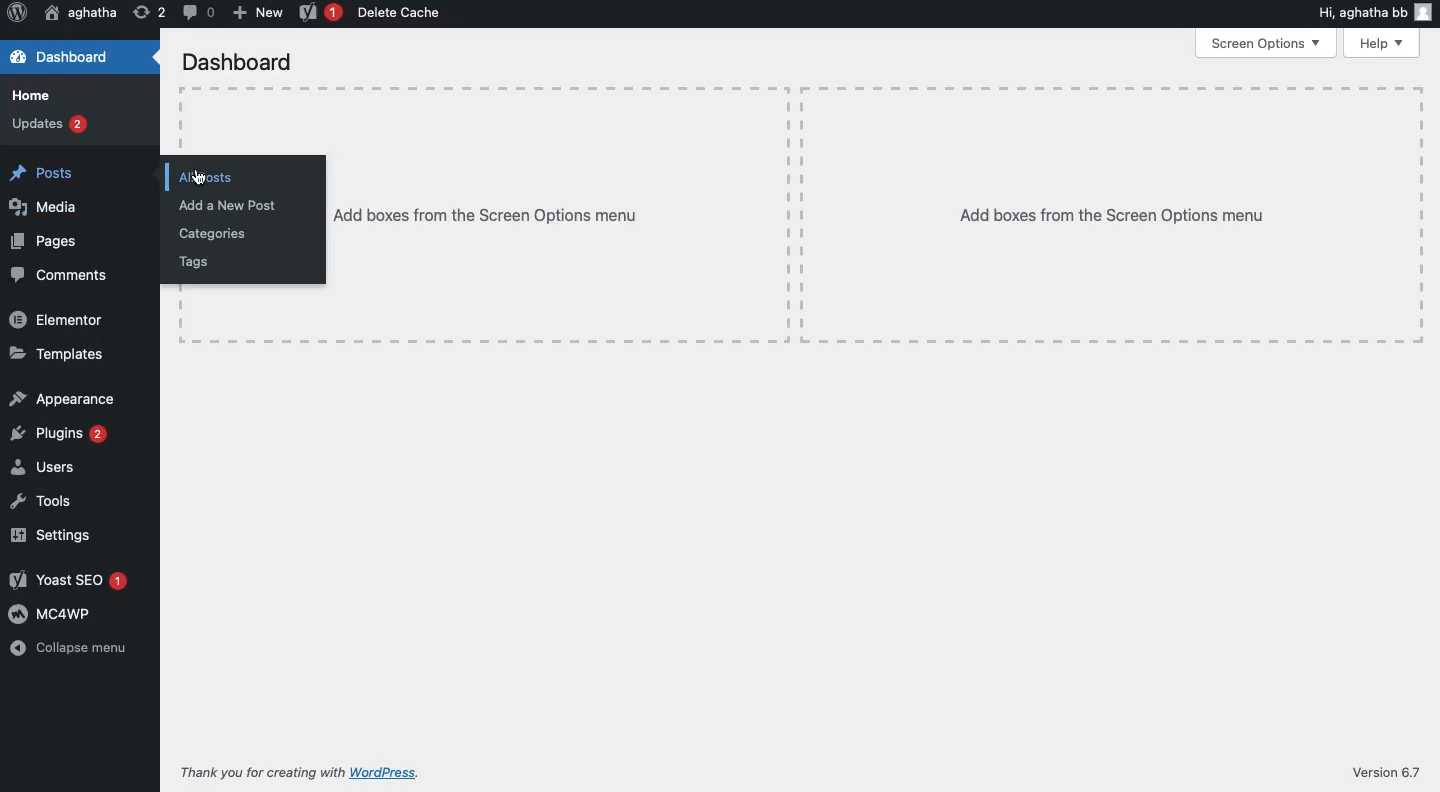  What do you see at coordinates (386, 771) in the screenshot?
I see `WordPress.` at bounding box center [386, 771].